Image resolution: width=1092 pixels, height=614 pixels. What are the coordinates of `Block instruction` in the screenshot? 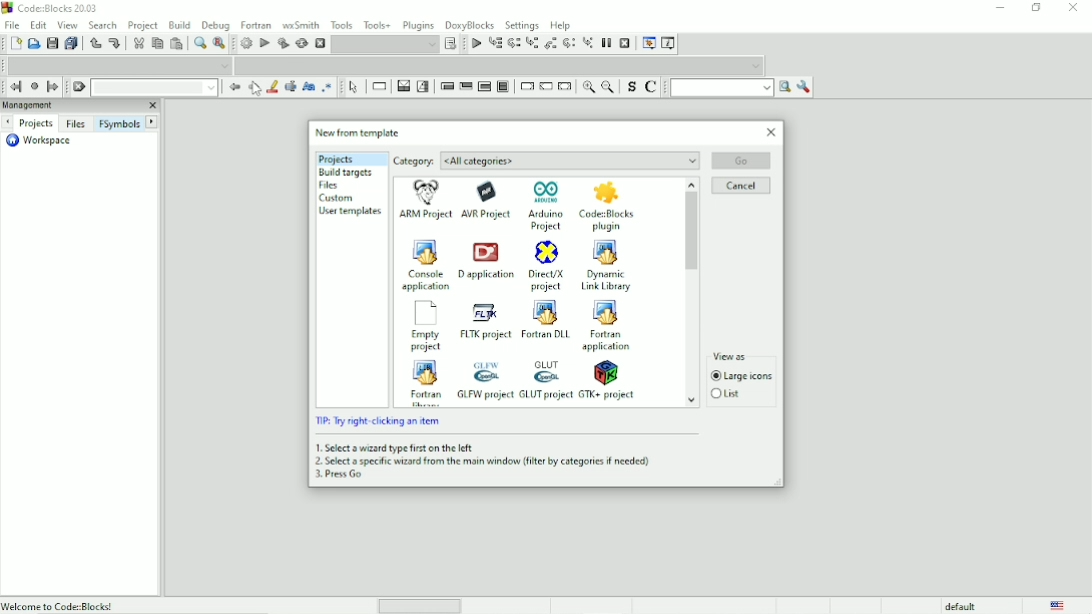 It's located at (503, 87).